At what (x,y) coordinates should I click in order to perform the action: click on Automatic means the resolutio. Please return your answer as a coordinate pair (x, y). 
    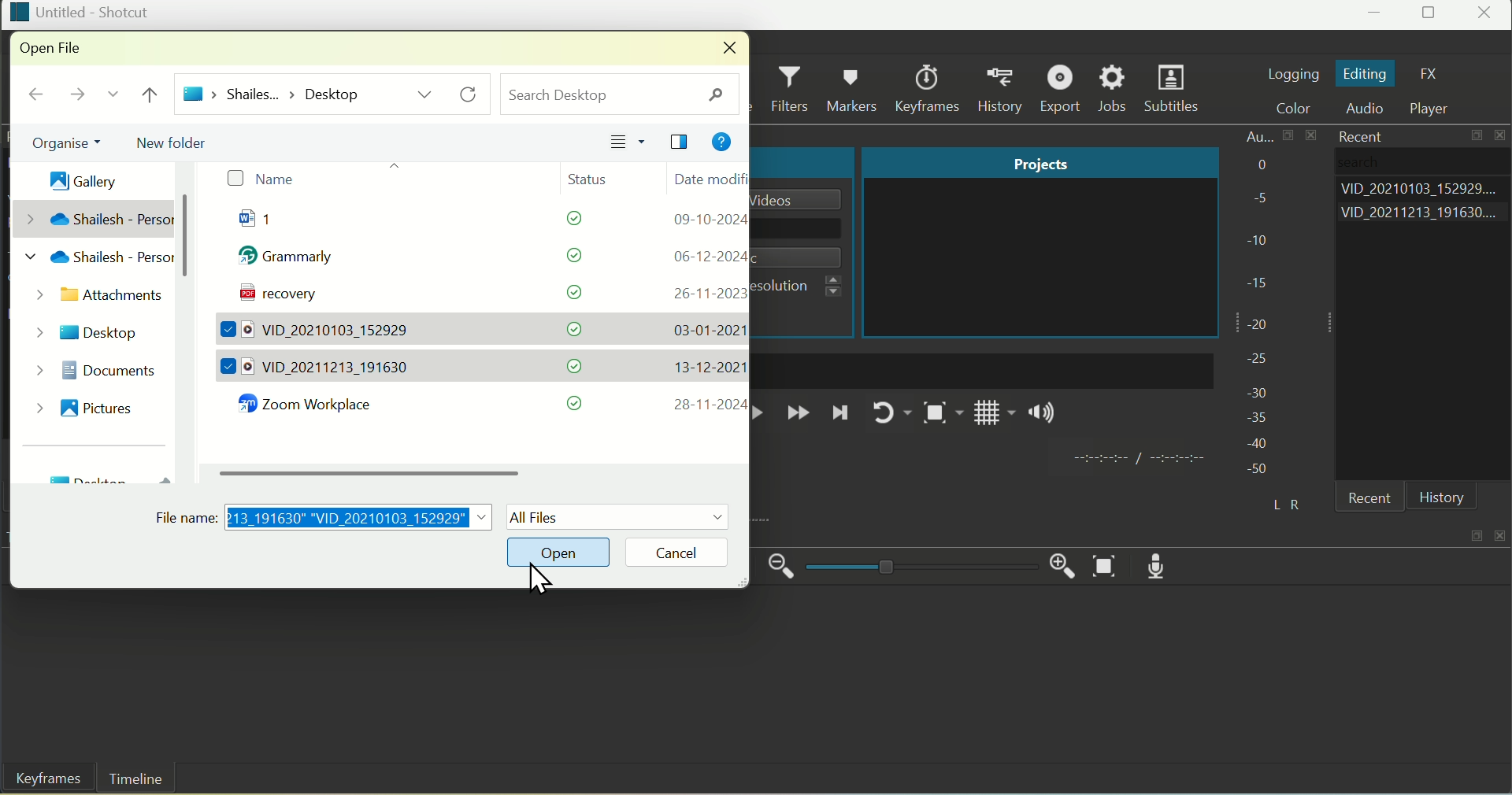
    Looking at the image, I should click on (804, 287).